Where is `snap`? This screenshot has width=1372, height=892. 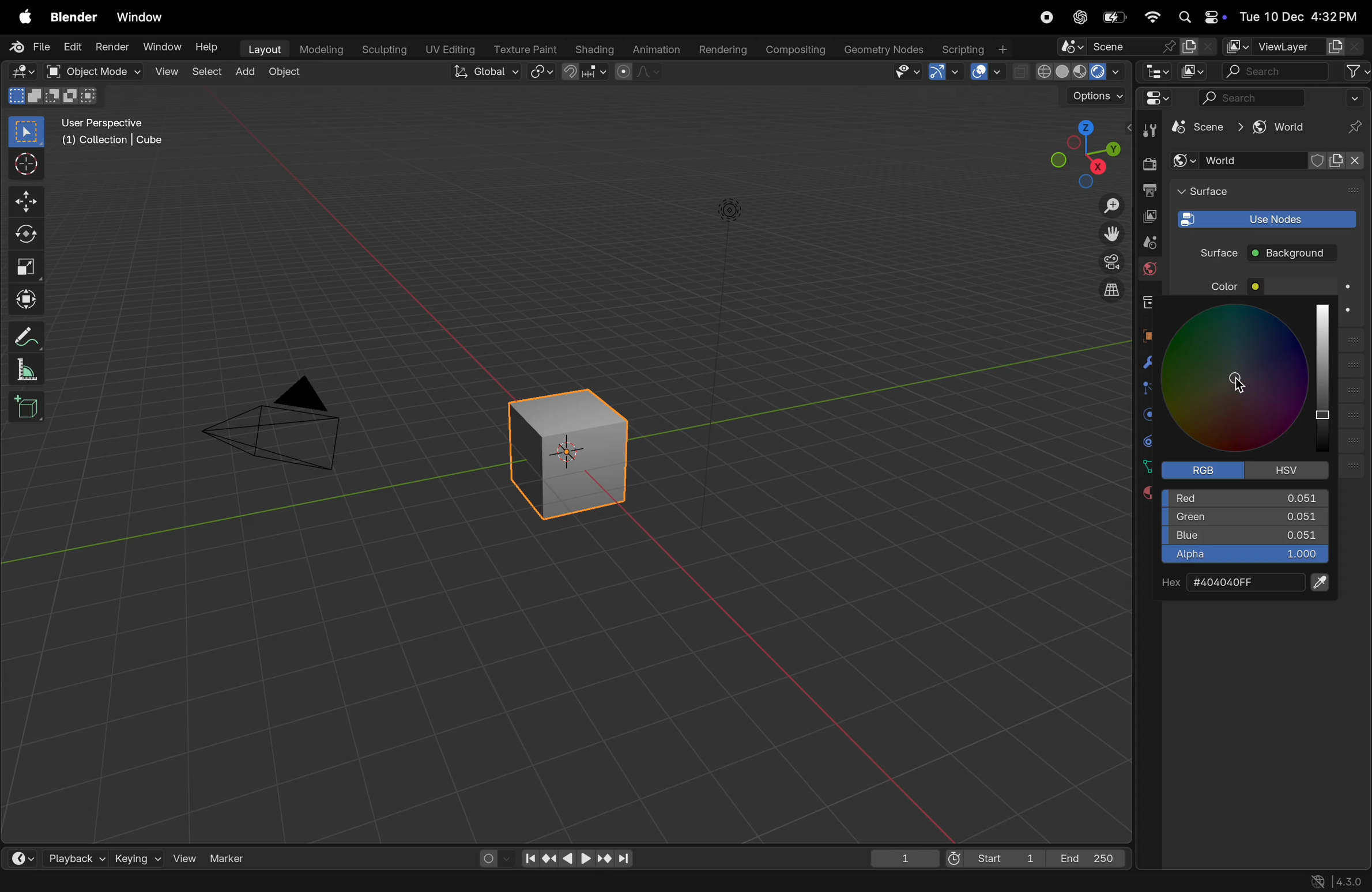
snap is located at coordinates (586, 73).